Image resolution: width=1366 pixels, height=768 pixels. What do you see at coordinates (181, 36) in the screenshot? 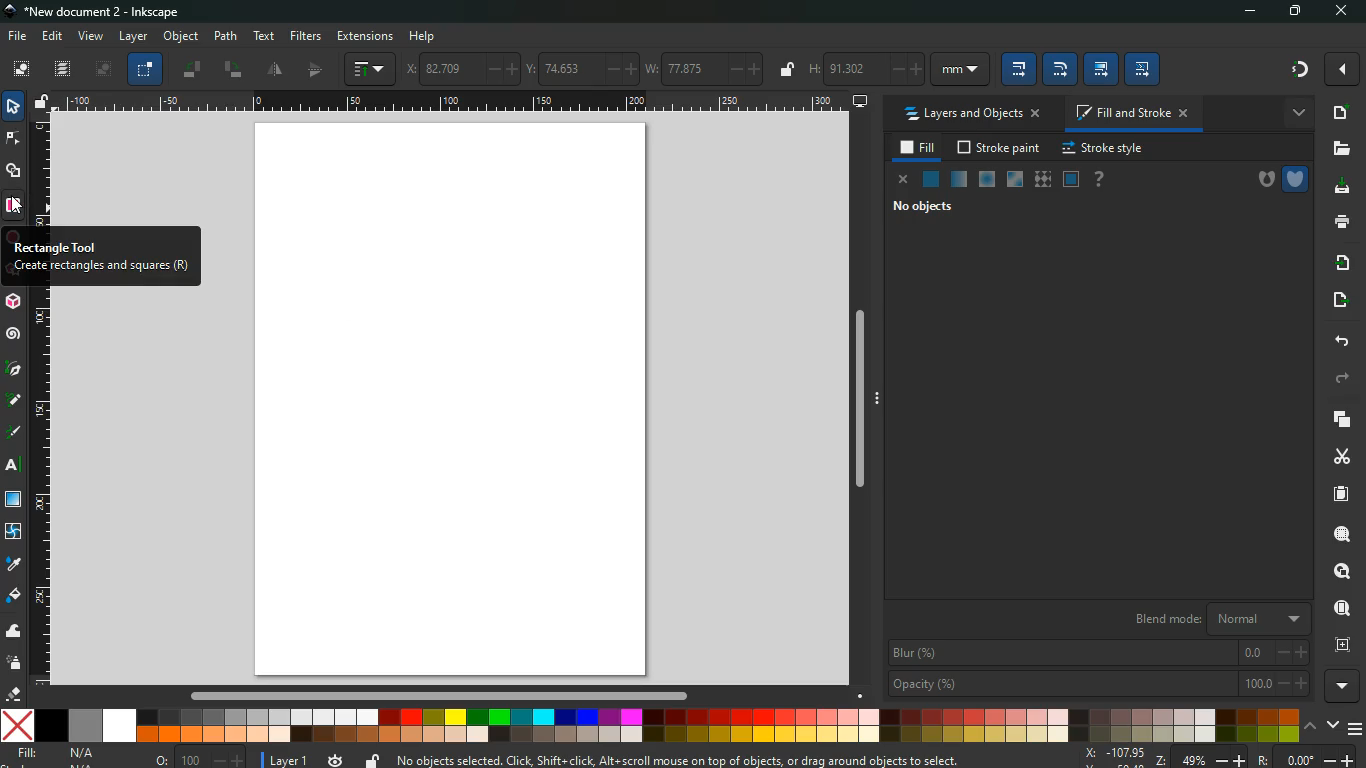
I see `object` at bounding box center [181, 36].